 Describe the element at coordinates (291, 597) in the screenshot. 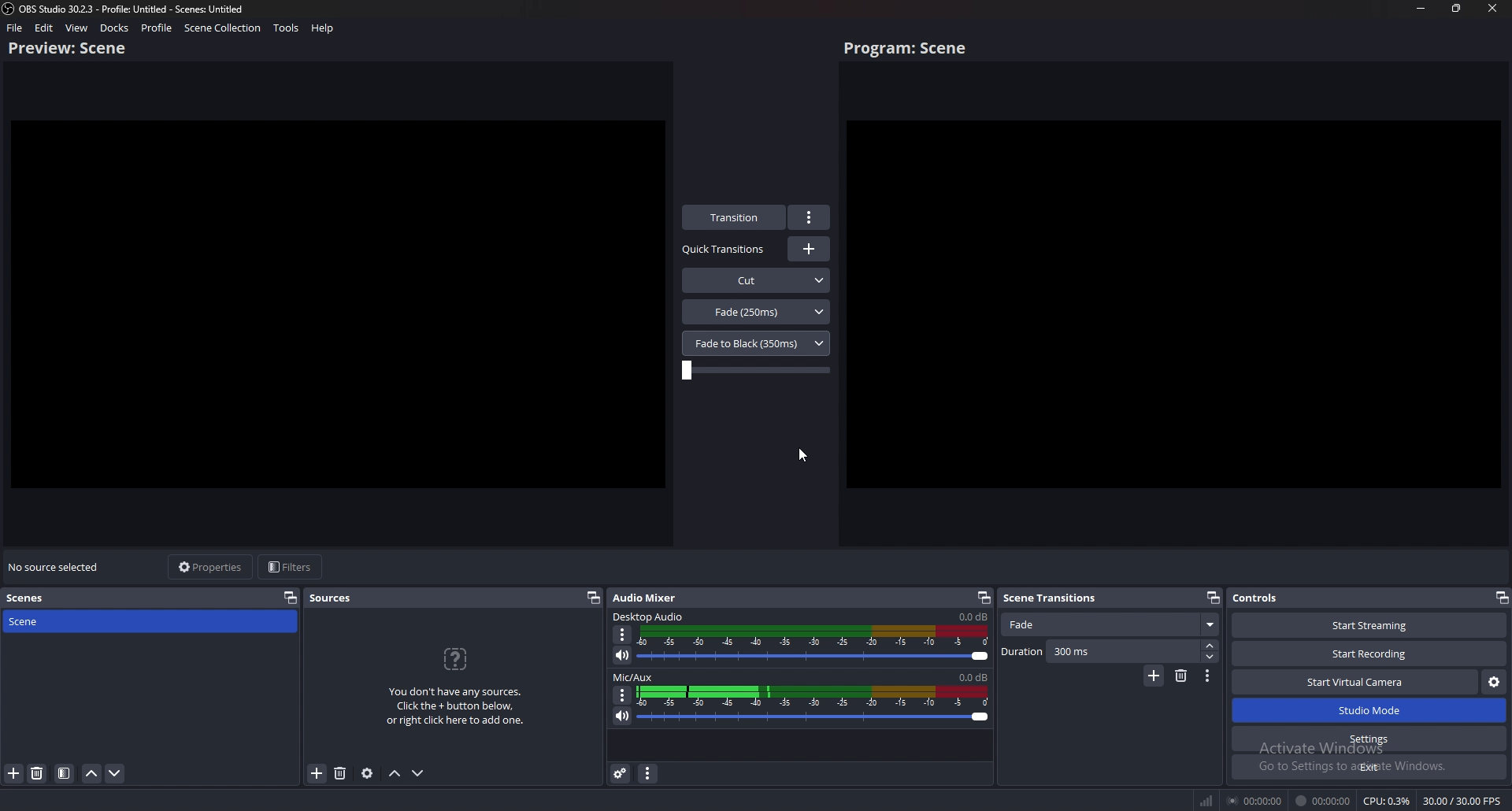

I see `pop out` at that location.